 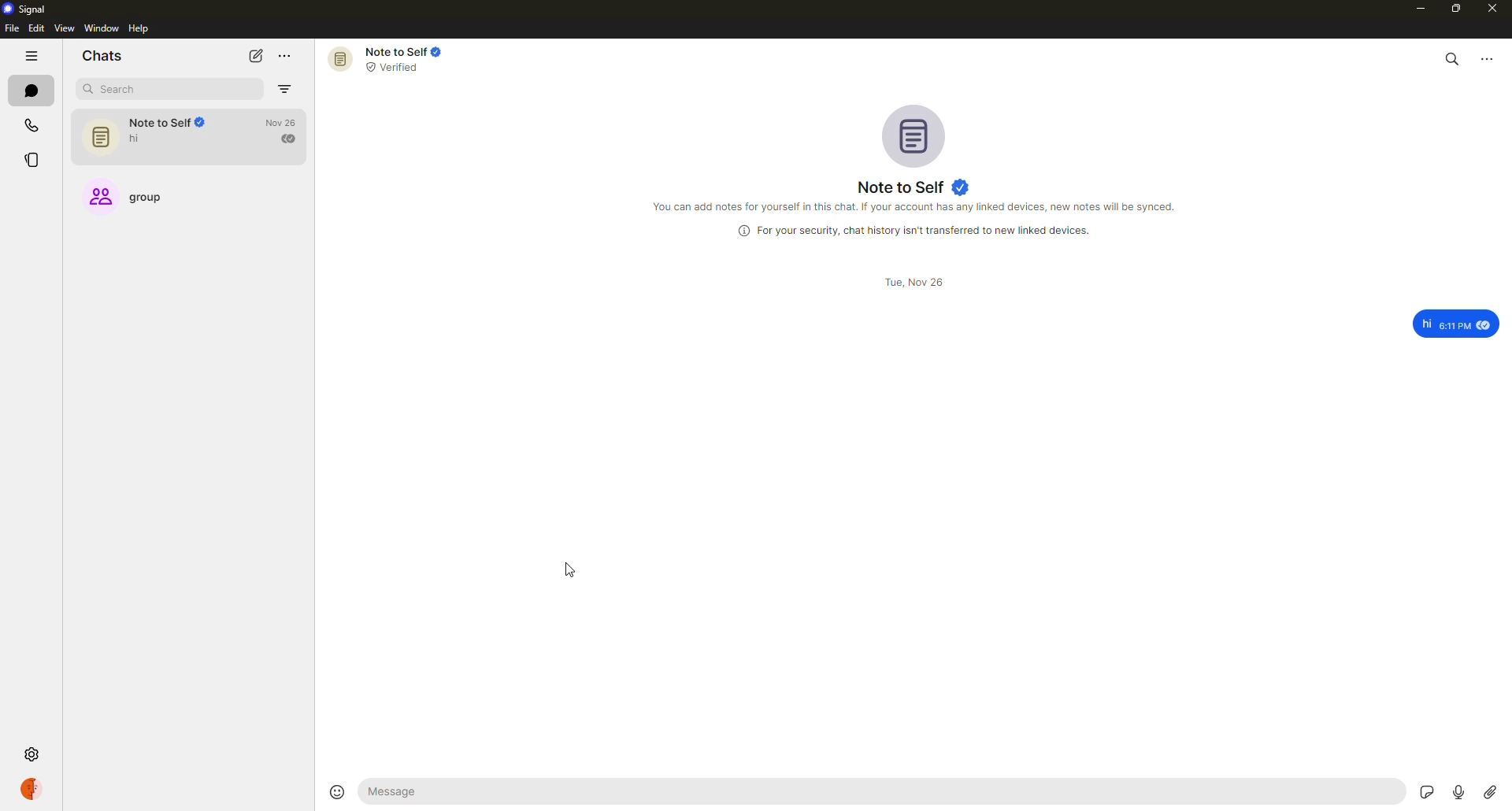 I want to click on edit, so click(x=35, y=28).